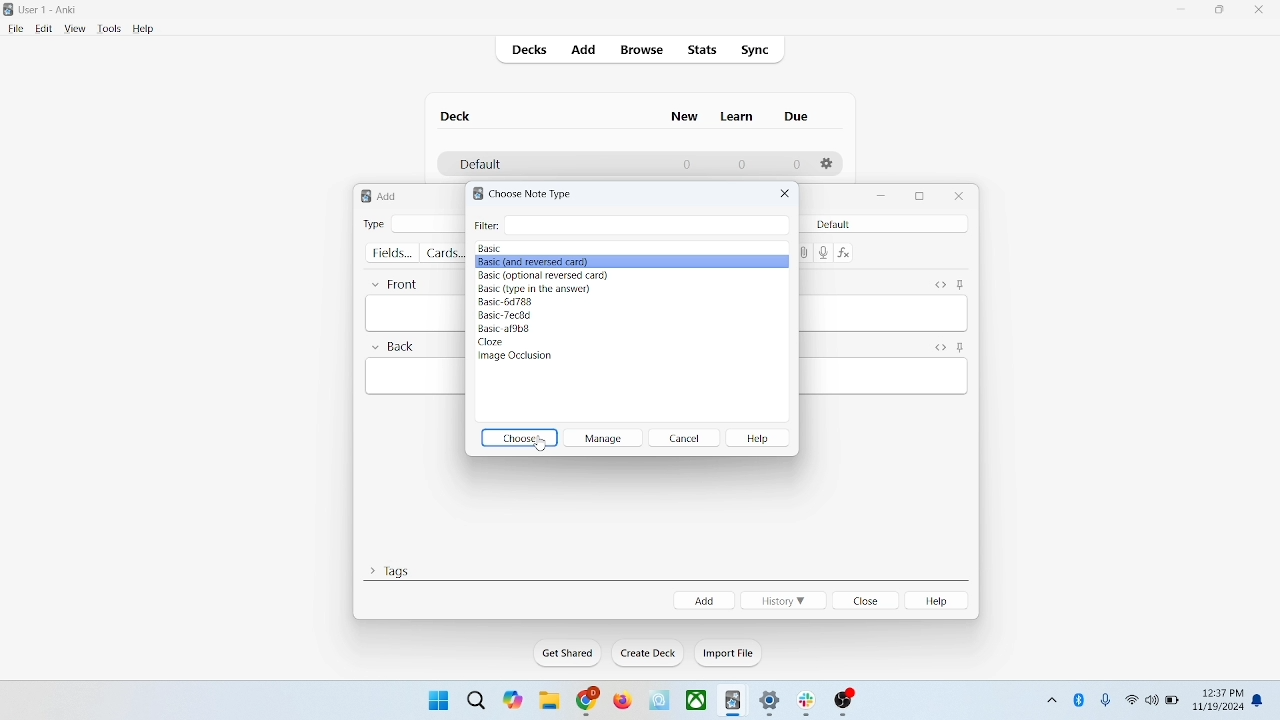 The height and width of the screenshot is (720, 1280). What do you see at coordinates (1263, 12) in the screenshot?
I see `close` at bounding box center [1263, 12].